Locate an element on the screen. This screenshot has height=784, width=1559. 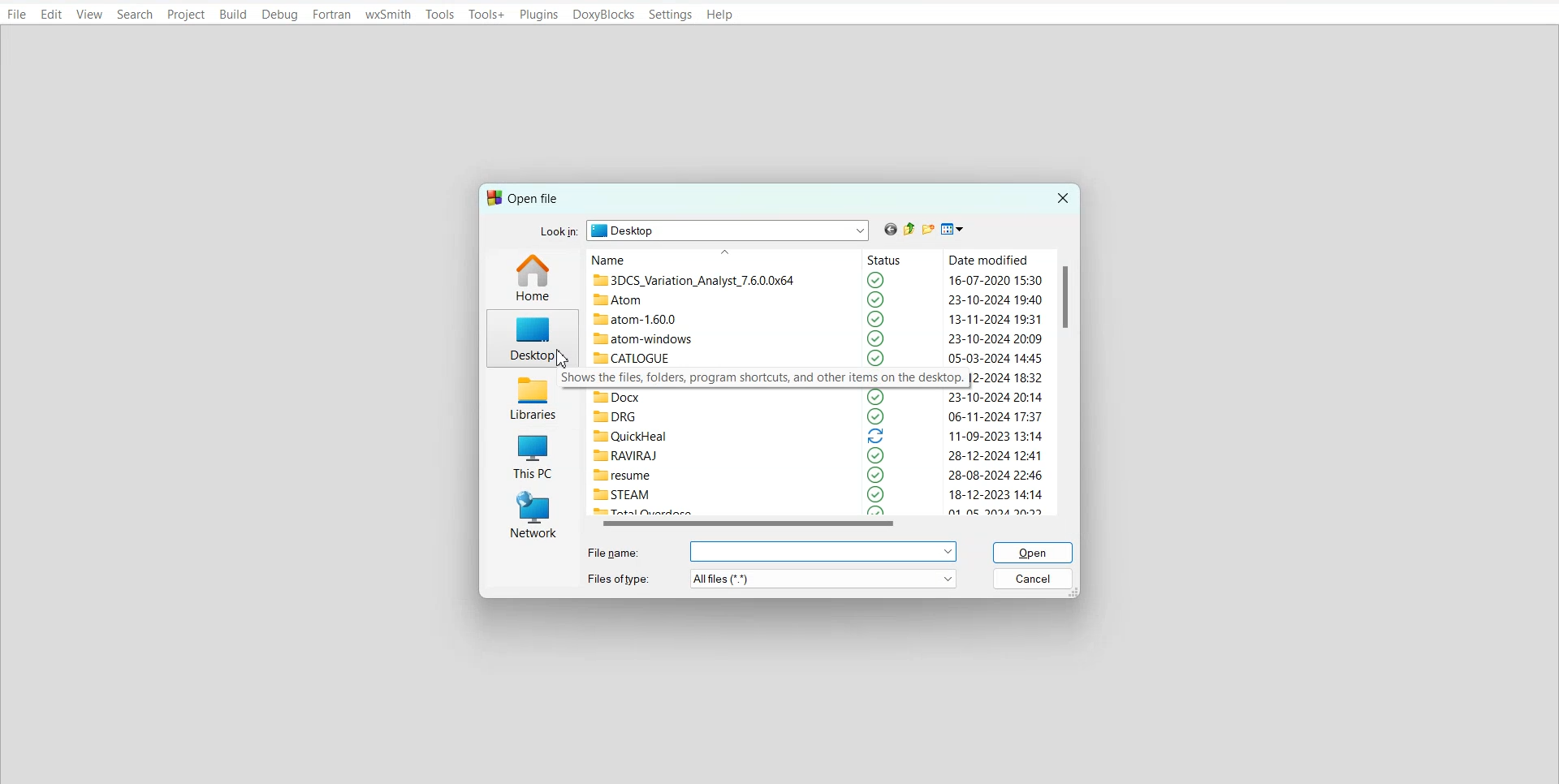
Home is located at coordinates (538, 274).